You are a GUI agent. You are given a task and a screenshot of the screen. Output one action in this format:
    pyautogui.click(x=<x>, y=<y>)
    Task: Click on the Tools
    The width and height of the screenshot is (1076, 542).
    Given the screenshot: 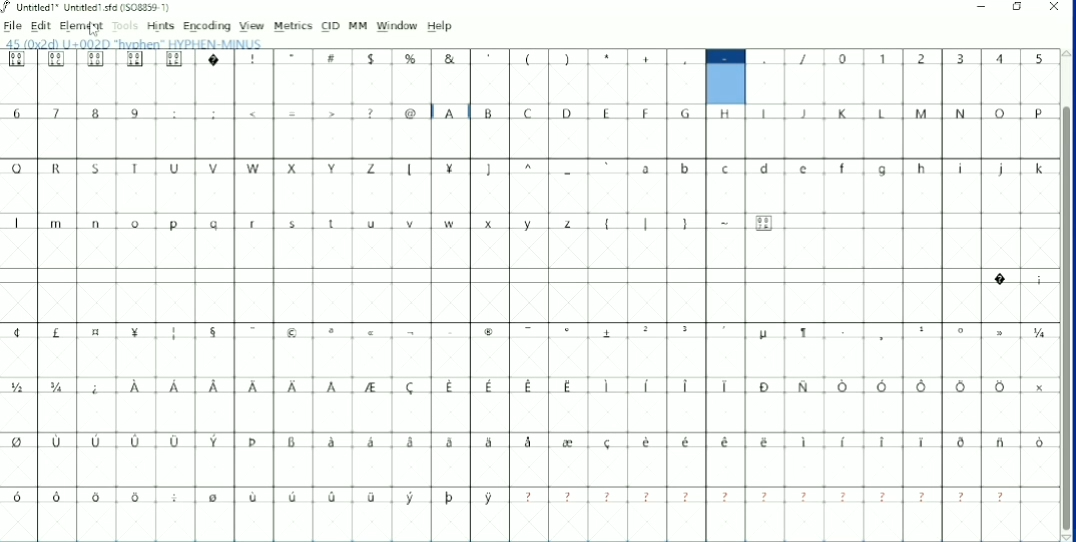 What is the action you would take?
    pyautogui.click(x=125, y=27)
    